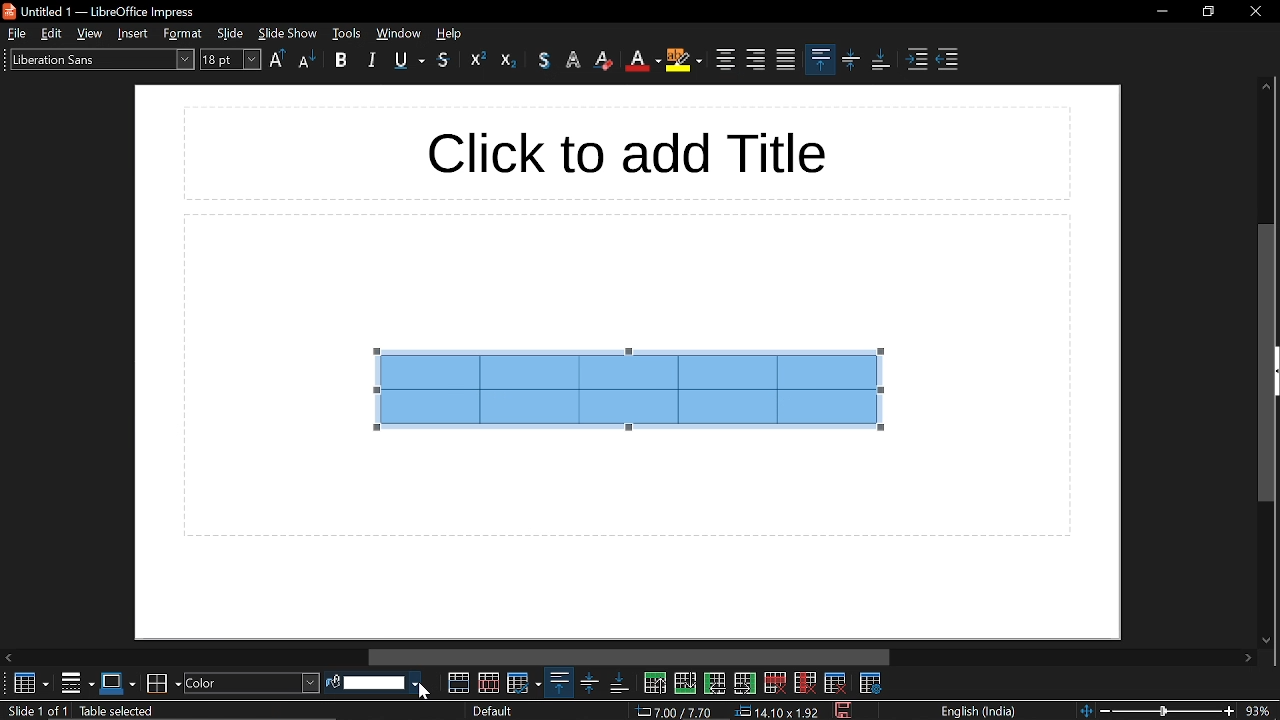 This screenshot has width=1280, height=720. I want to click on fill style, so click(252, 683).